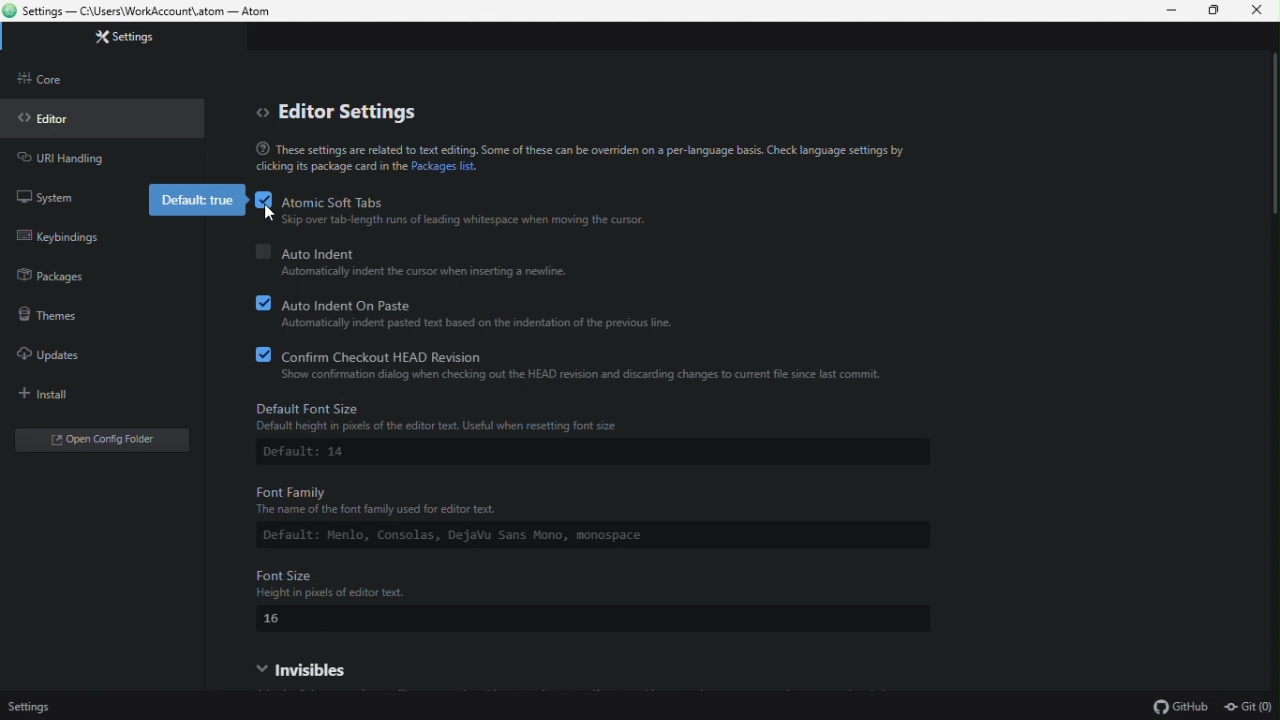 Image resolution: width=1280 pixels, height=720 pixels. What do you see at coordinates (494, 499) in the screenshot?
I see `Font Family
The name of the font family used for editor text.` at bounding box center [494, 499].